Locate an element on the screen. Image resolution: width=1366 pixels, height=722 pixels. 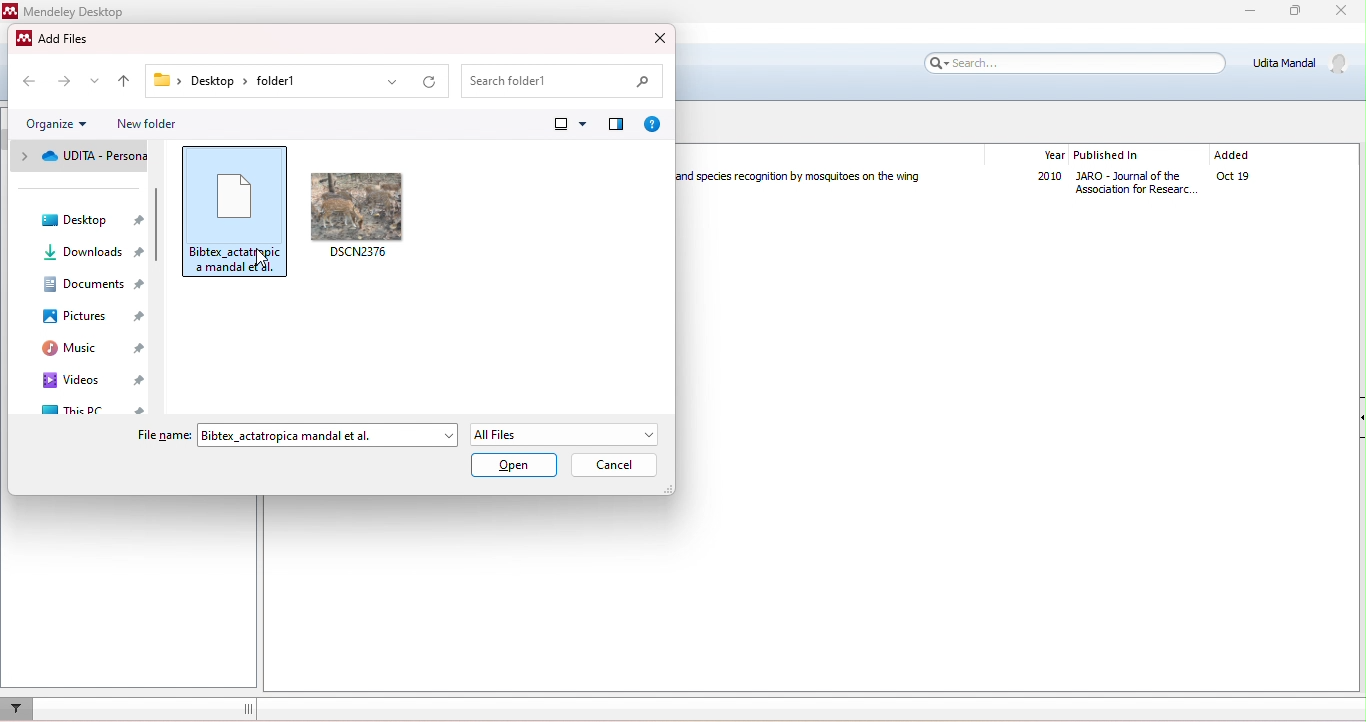
Desktop is located at coordinates (214, 82).